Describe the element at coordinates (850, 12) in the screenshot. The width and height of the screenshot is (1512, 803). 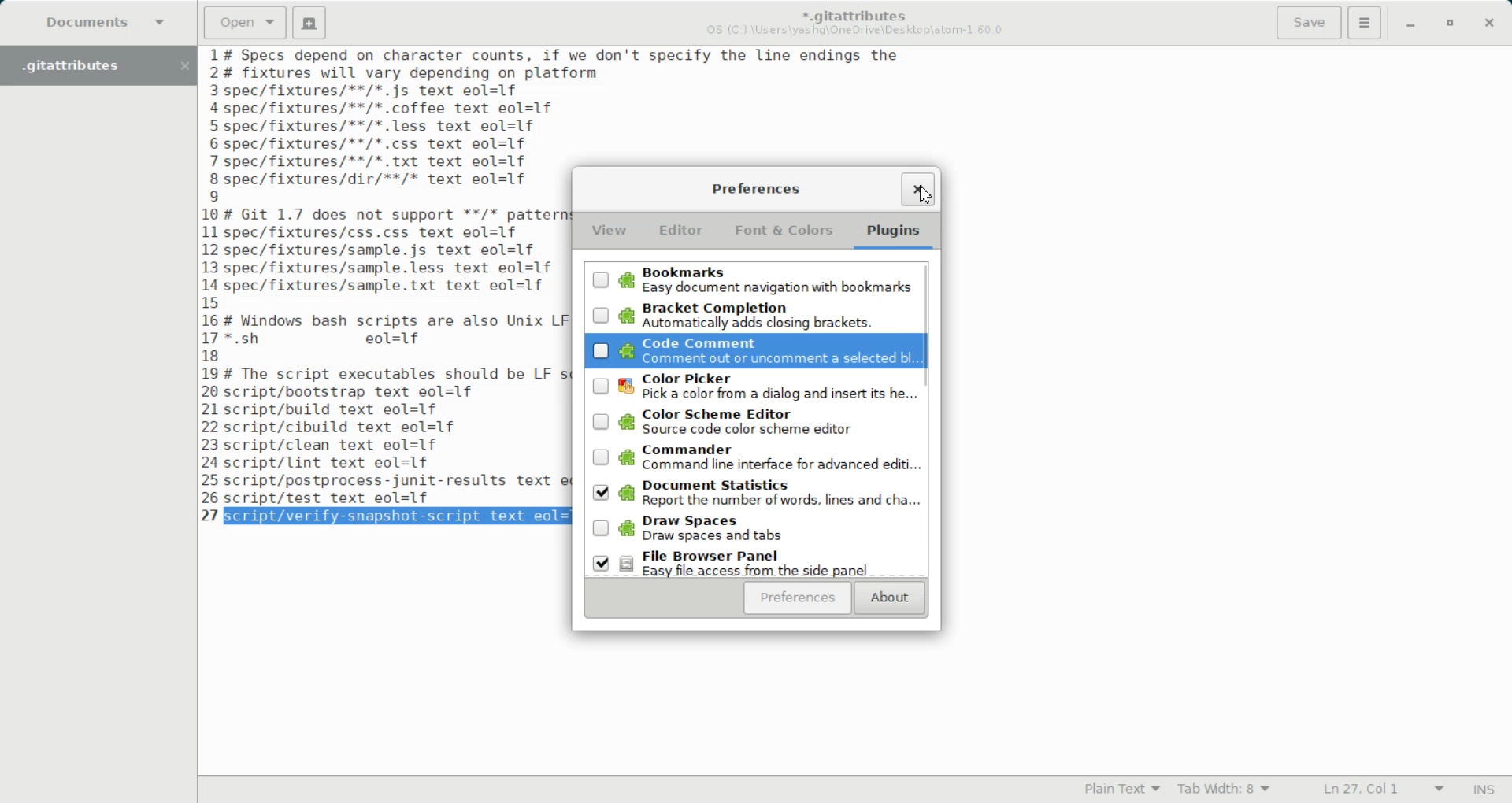
I see `*.gitattributes` at that location.